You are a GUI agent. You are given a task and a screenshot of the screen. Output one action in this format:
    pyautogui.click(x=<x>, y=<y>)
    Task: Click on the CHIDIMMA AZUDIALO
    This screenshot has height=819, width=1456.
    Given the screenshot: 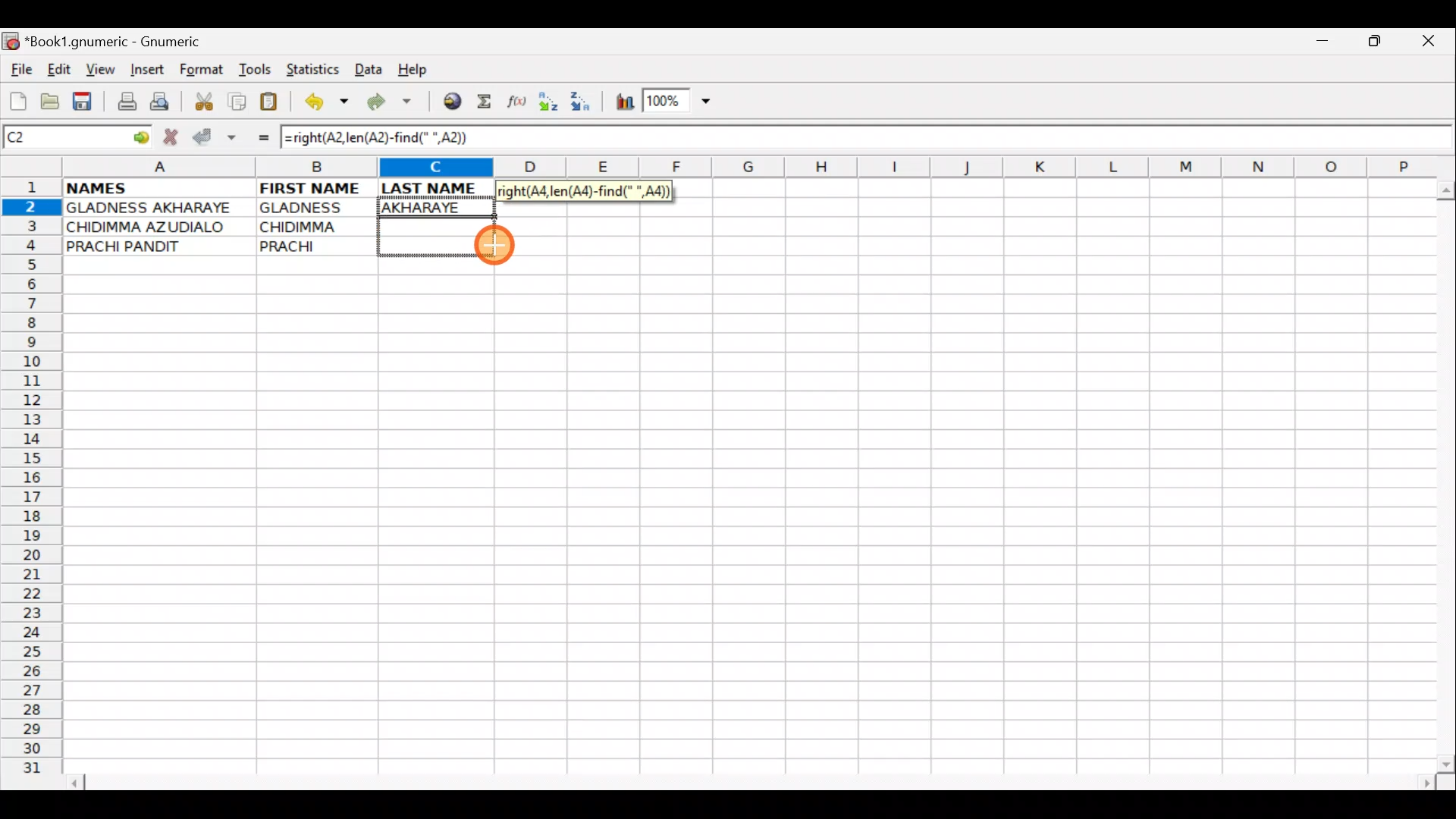 What is the action you would take?
    pyautogui.click(x=152, y=227)
    